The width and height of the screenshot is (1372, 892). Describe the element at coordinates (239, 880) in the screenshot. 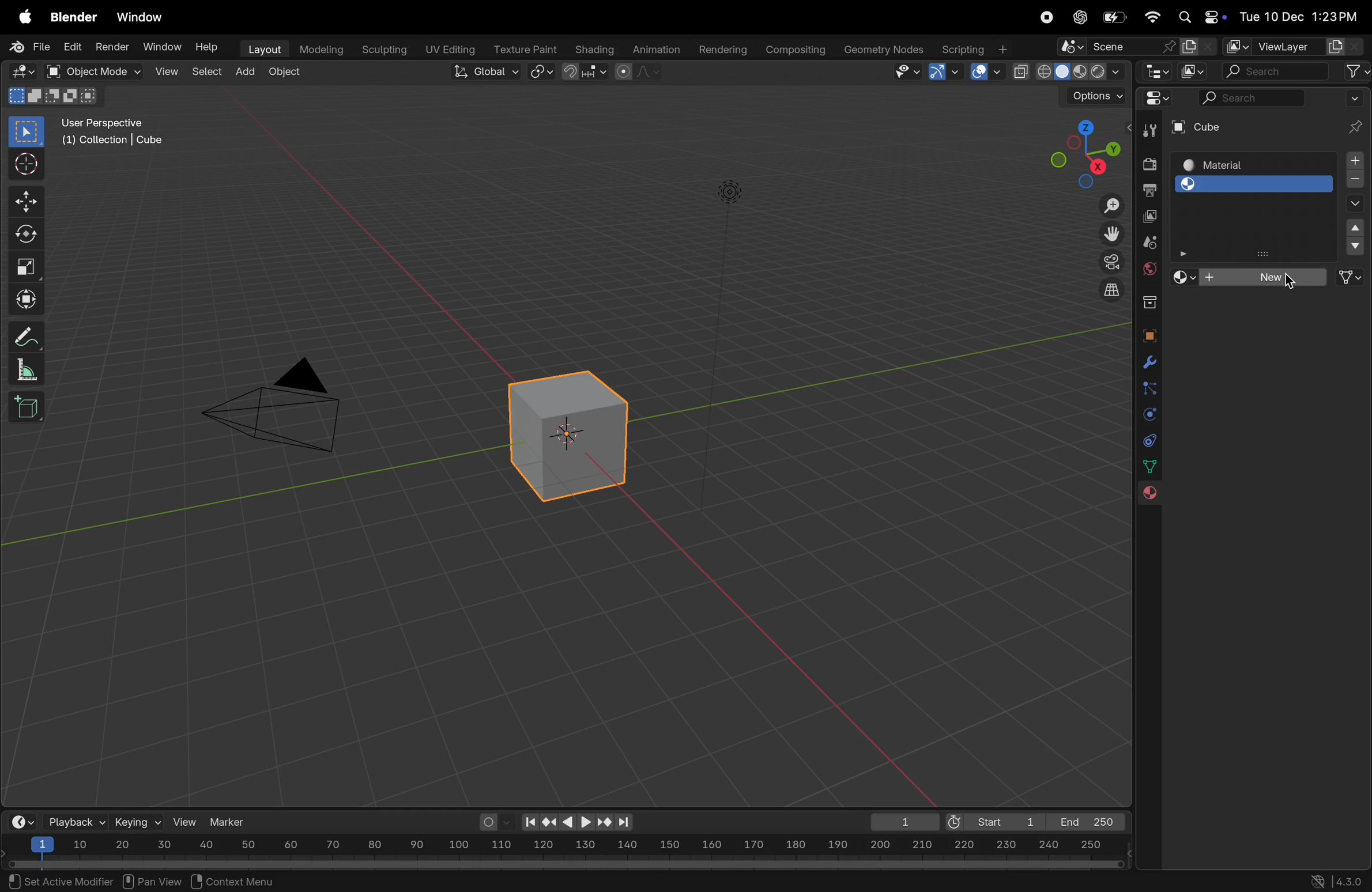

I see `context menu` at that location.